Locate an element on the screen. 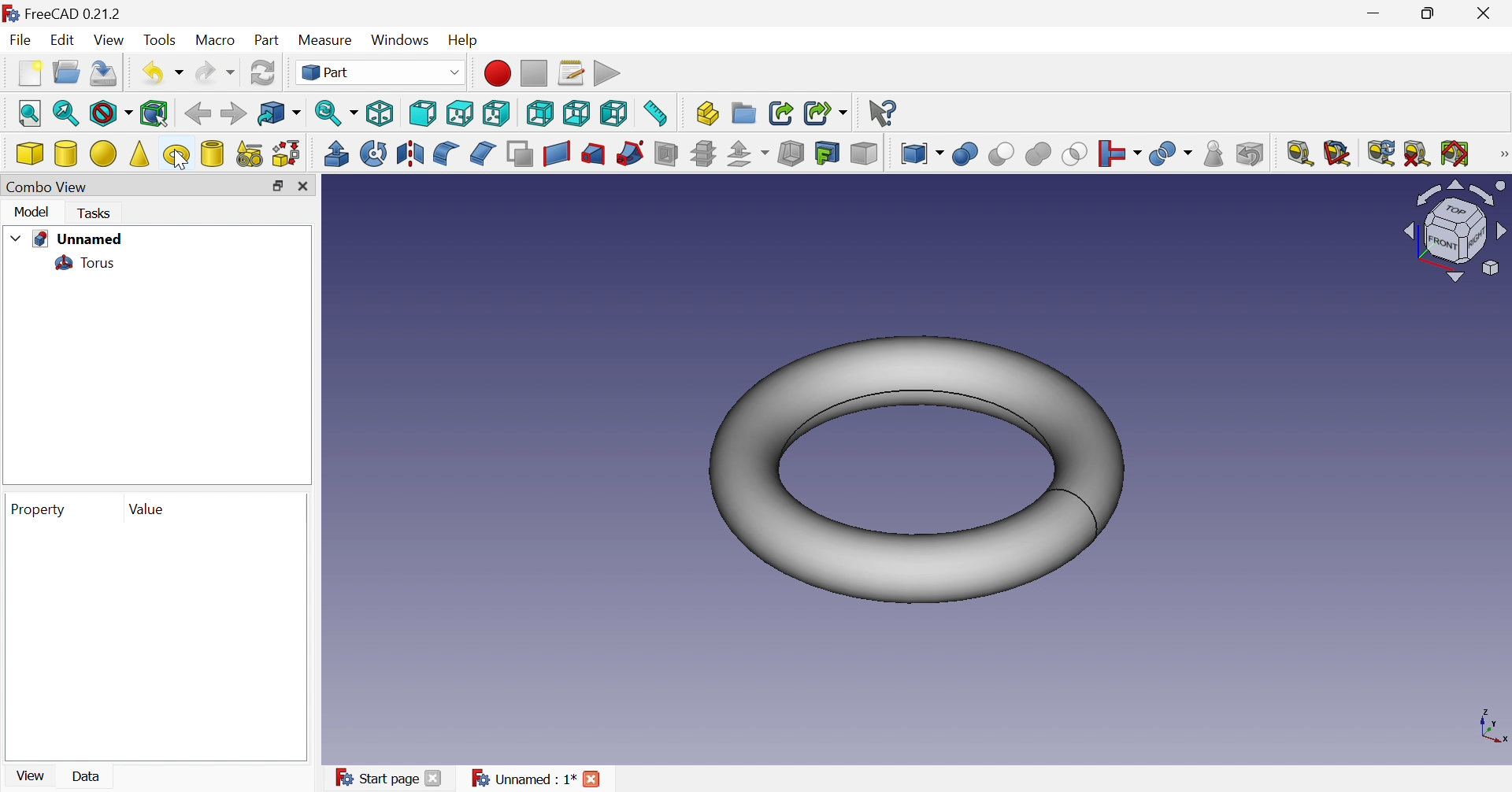  Create projection on surface... is located at coordinates (828, 154).